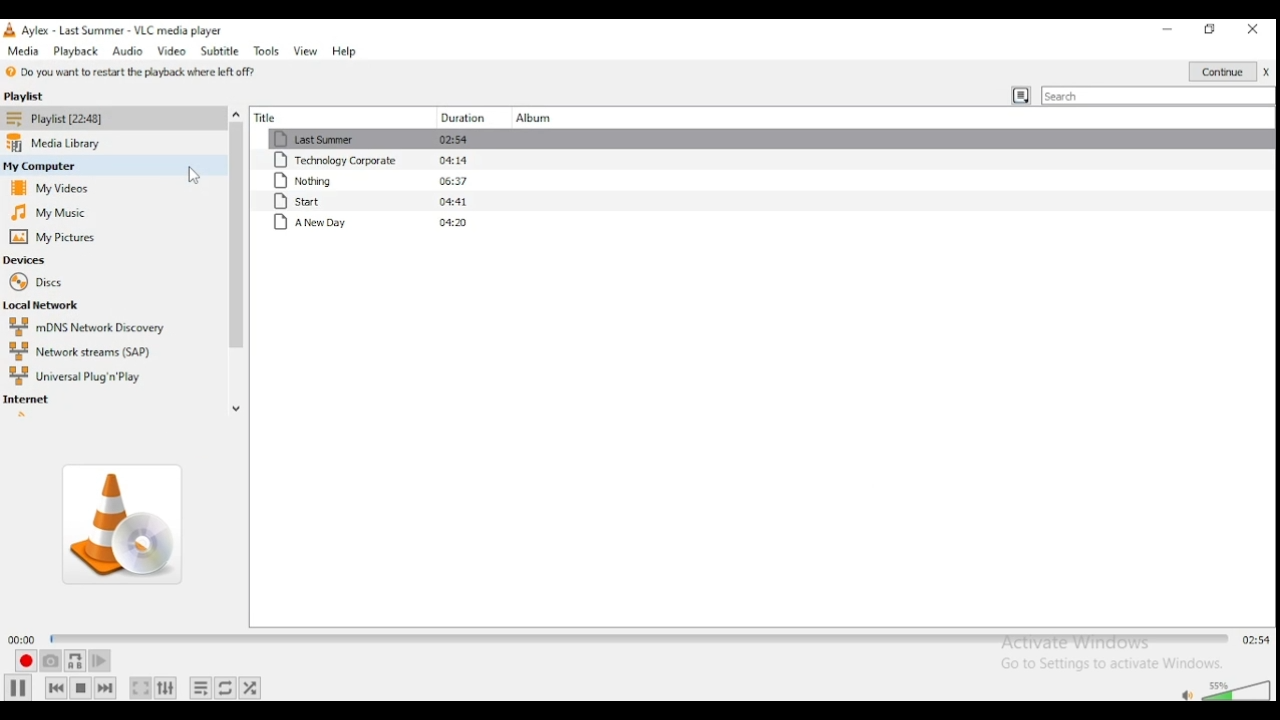 The image size is (1280, 720). Describe the element at coordinates (1104, 664) in the screenshot. I see `Go to settings to activate windows` at that location.